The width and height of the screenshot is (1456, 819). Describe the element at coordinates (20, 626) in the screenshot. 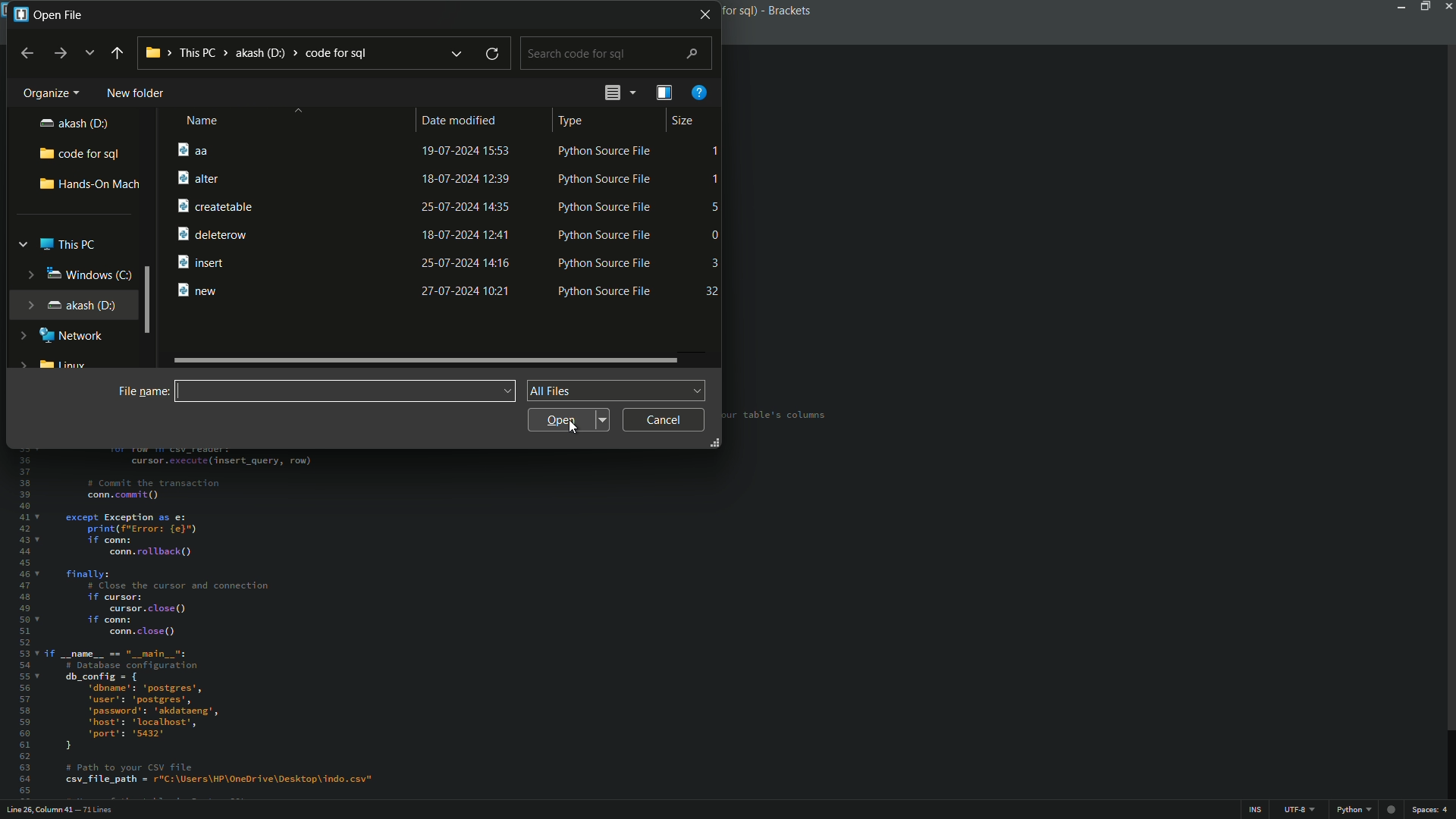

I see `line numbers` at that location.